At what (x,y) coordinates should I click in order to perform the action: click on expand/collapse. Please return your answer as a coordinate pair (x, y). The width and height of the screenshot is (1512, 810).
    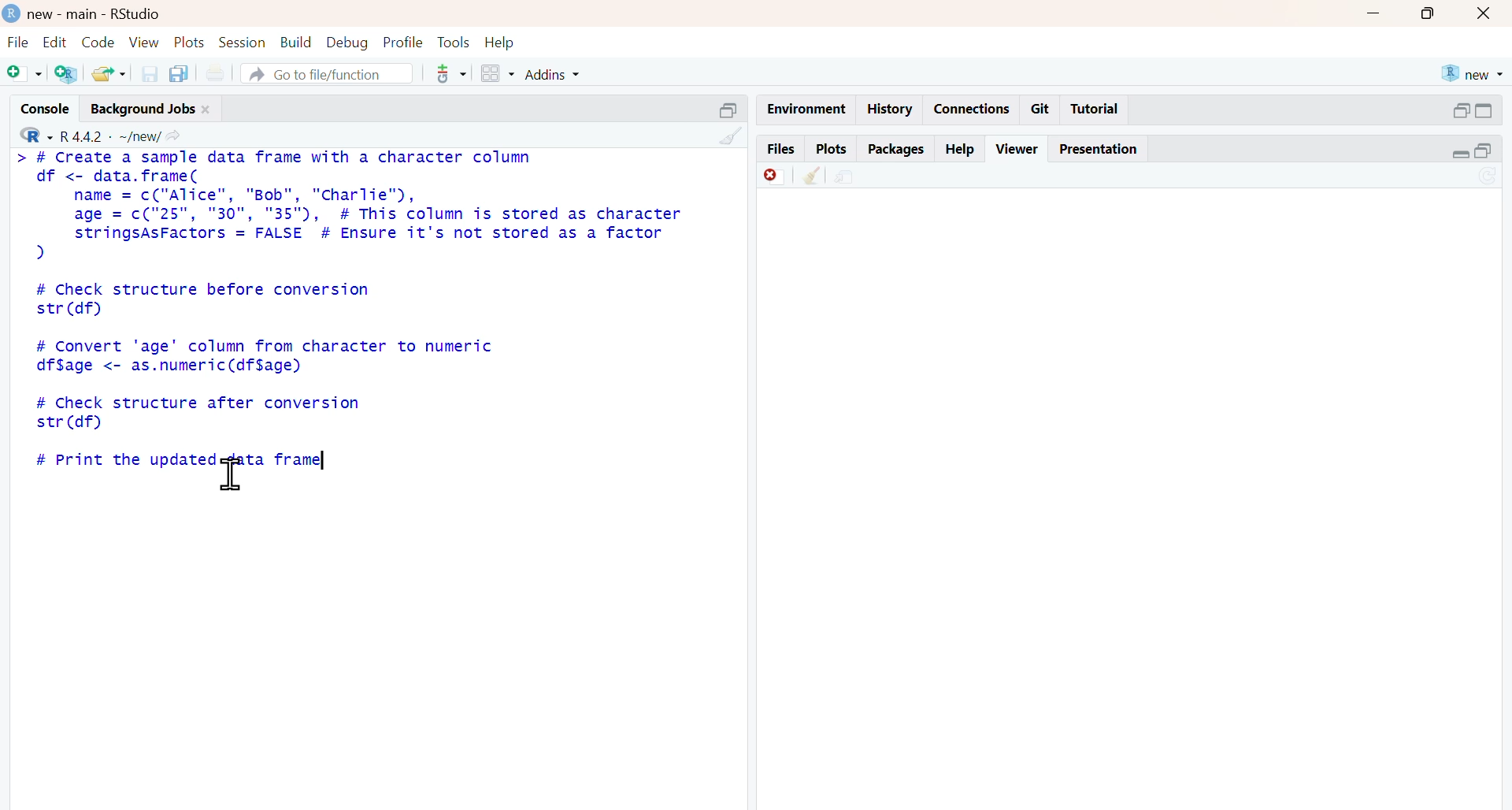
    Looking at the image, I should click on (1485, 110).